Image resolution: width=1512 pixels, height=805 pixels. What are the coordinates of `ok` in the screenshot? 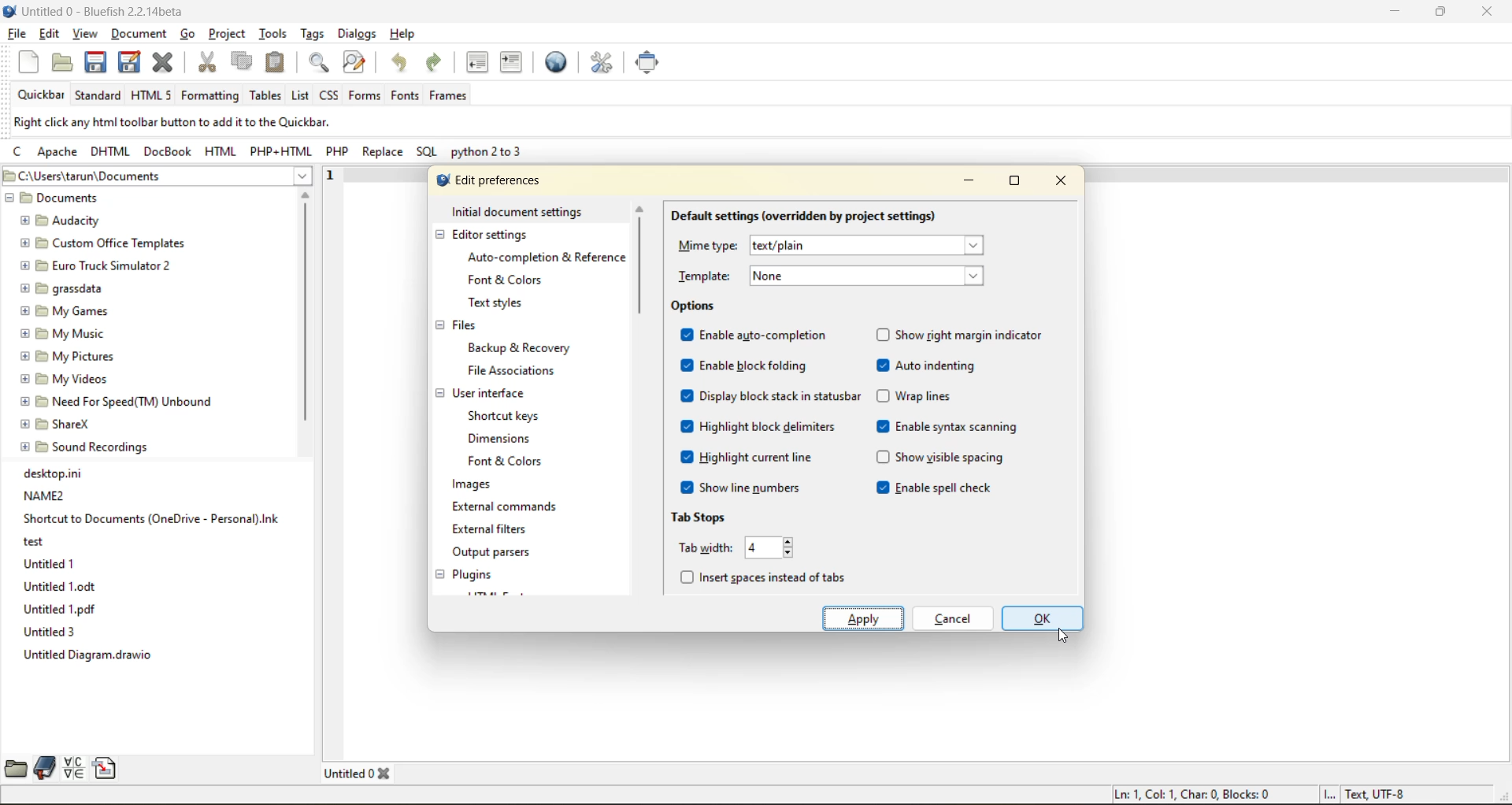 It's located at (1041, 618).